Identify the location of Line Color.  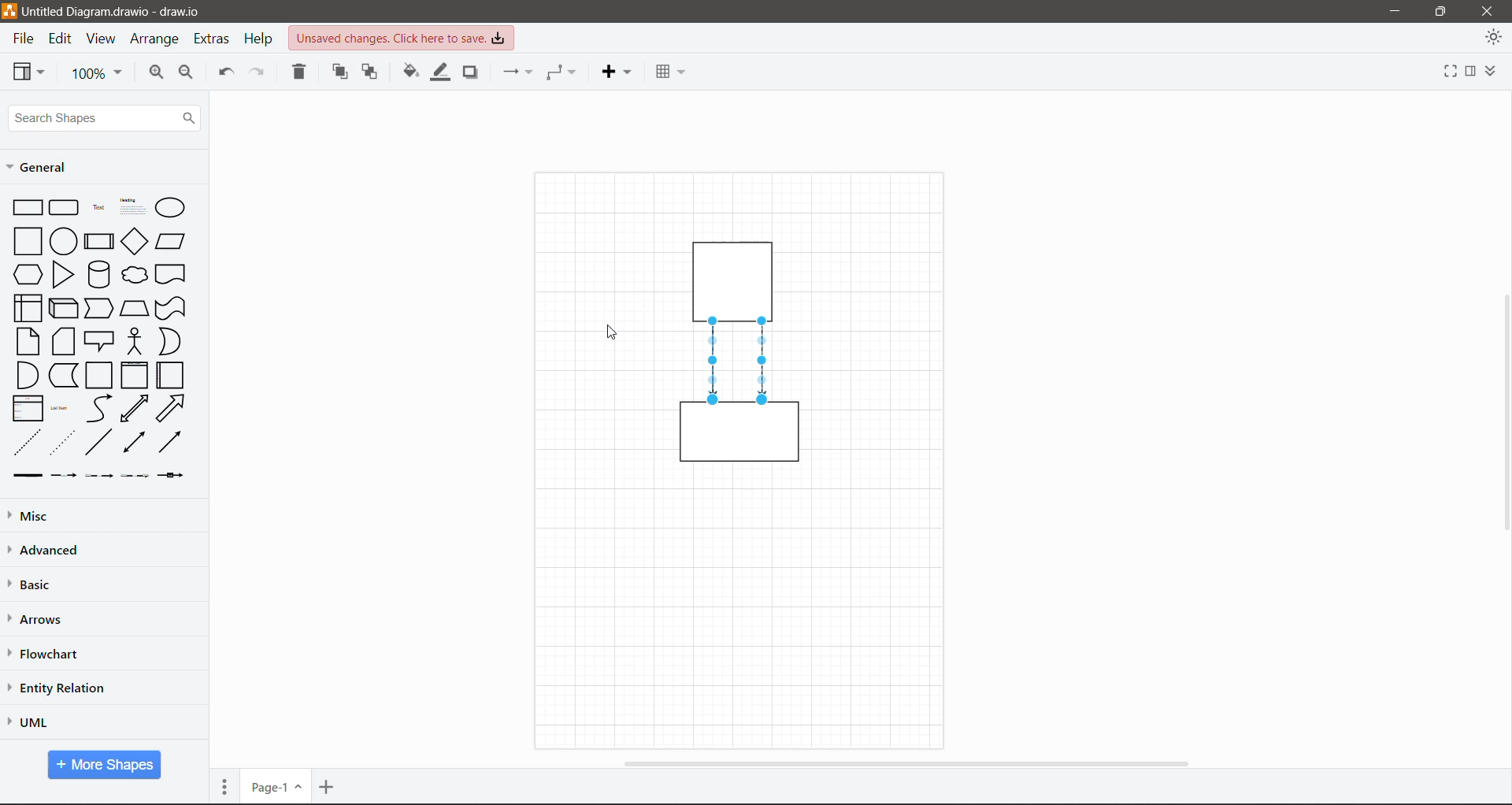
(438, 73).